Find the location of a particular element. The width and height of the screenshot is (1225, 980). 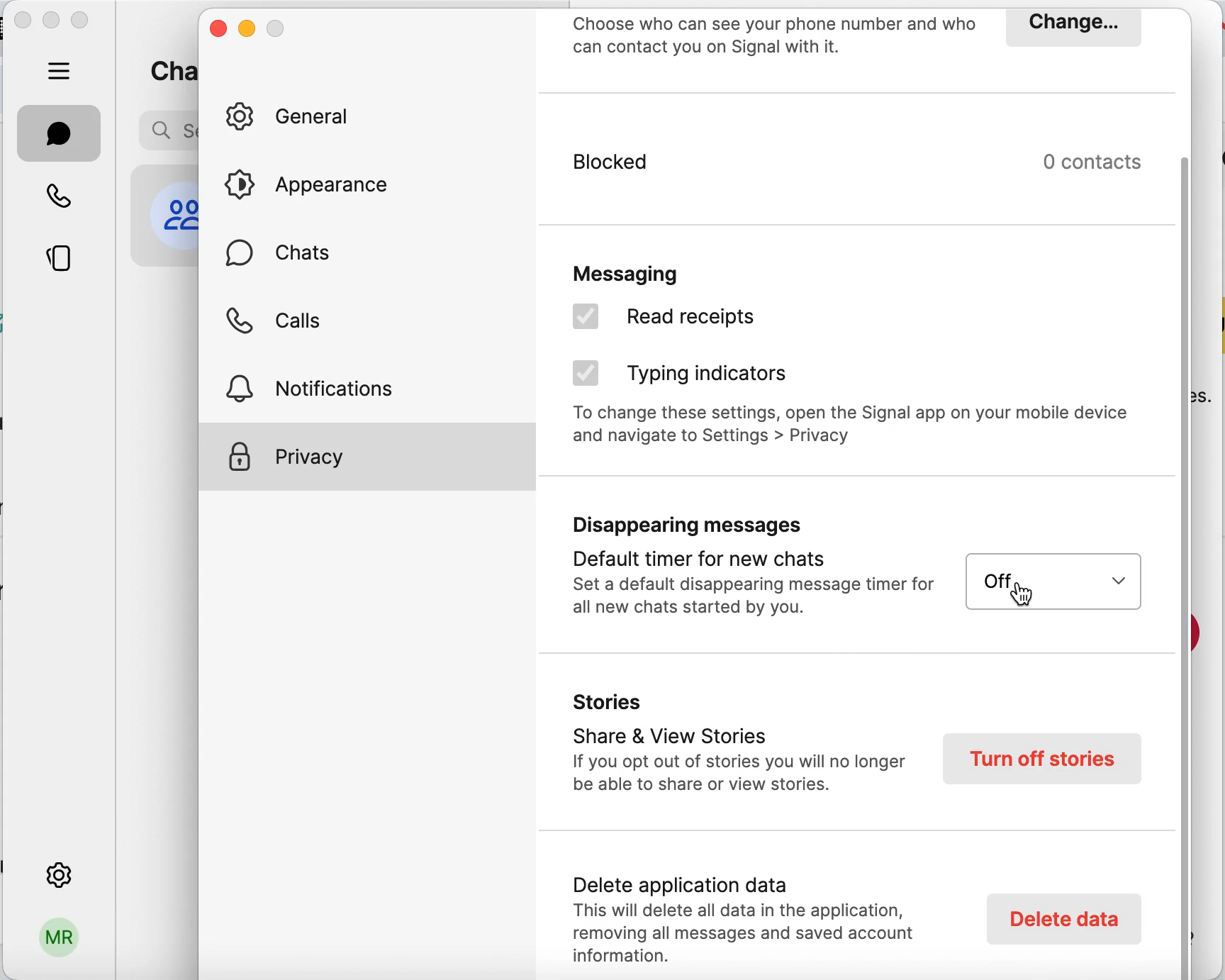

how to change this settings is located at coordinates (856, 430).